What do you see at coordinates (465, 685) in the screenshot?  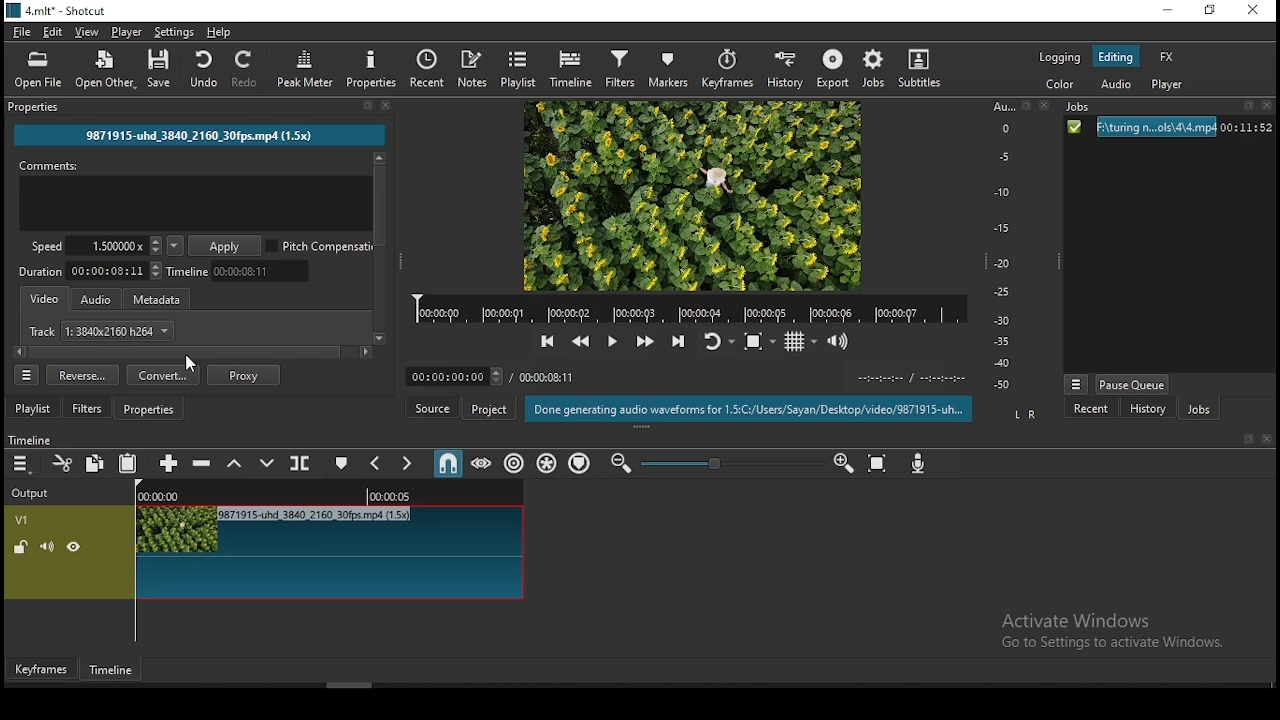 I see `scroll bar` at bounding box center [465, 685].